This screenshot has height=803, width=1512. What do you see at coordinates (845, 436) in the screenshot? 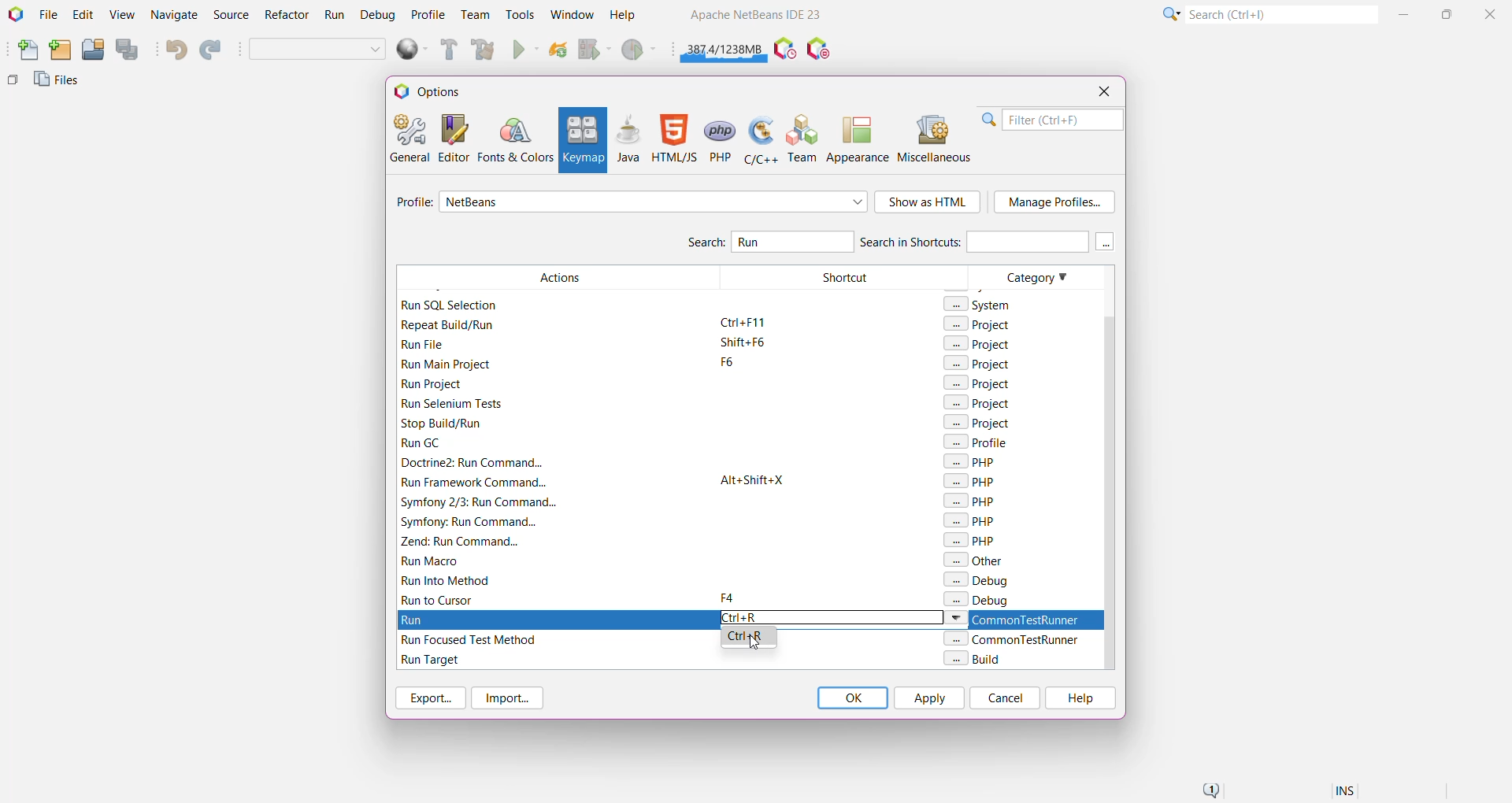
I see `Shortcut` at bounding box center [845, 436].